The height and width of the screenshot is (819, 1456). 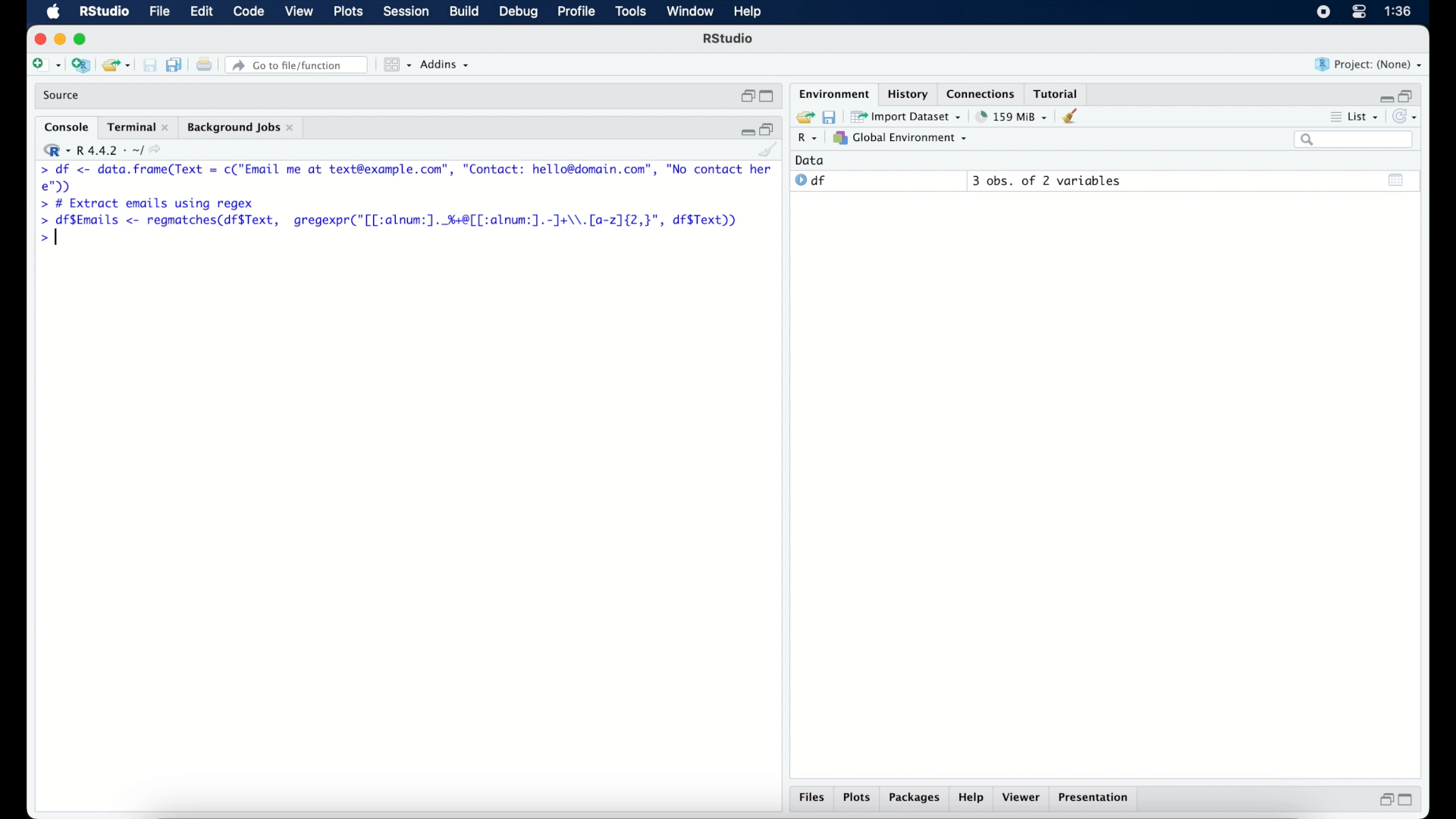 I want to click on console, so click(x=64, y=126).